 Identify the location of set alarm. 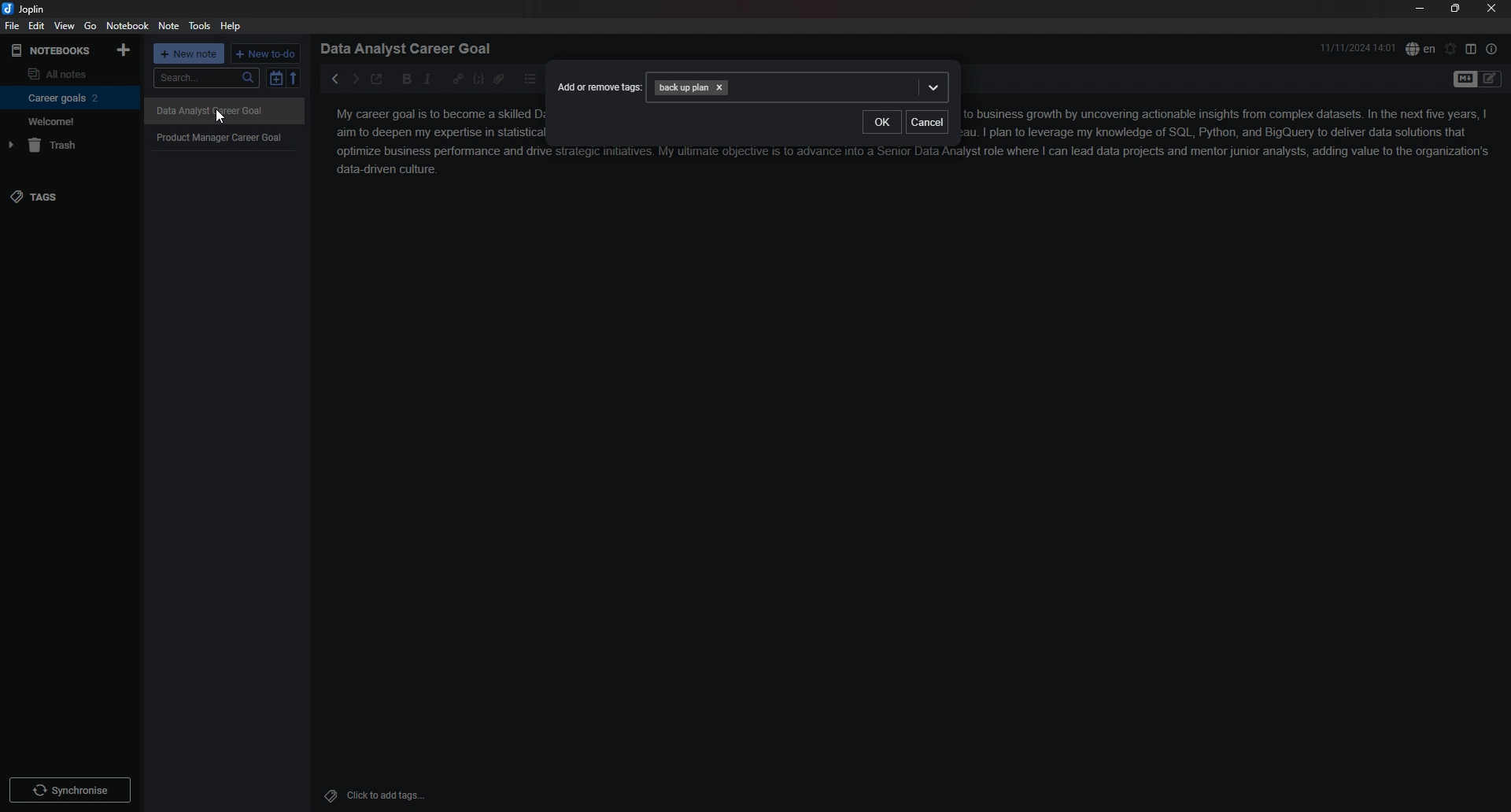
(1451, 49).